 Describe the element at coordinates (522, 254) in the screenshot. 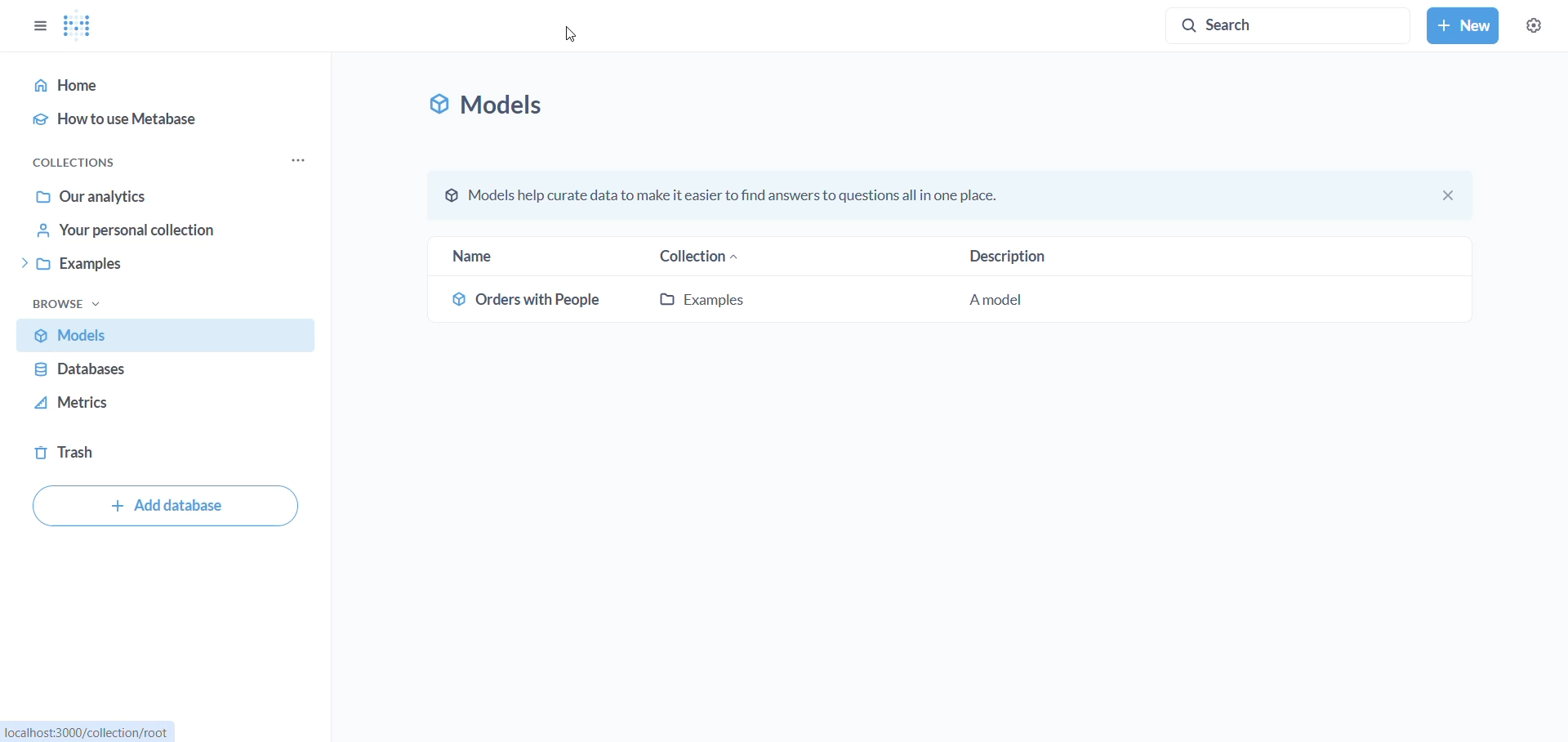

I see `name` at that location.